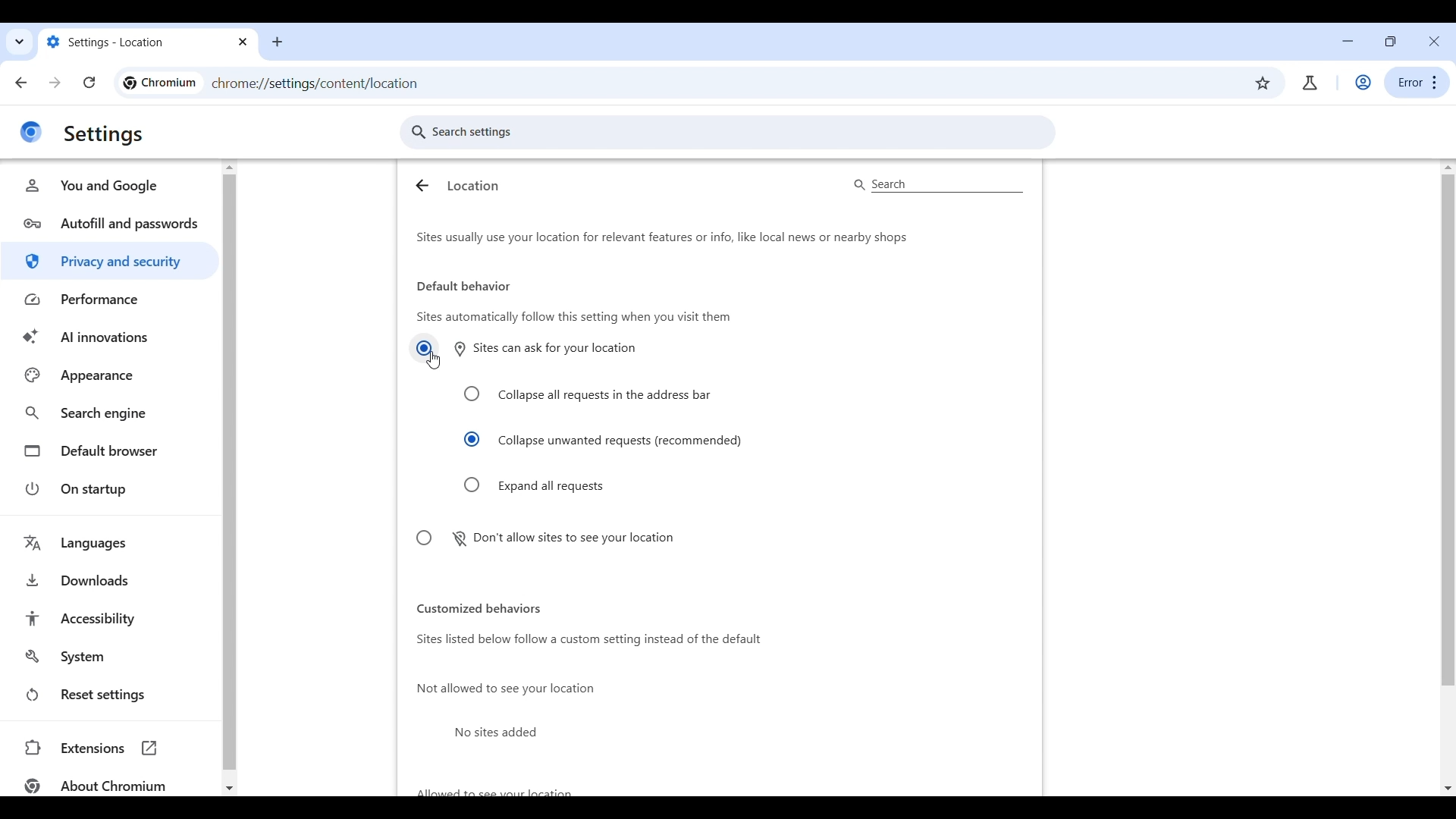 The image size is (1456, 819). I want to click on search, so click(935, 184).